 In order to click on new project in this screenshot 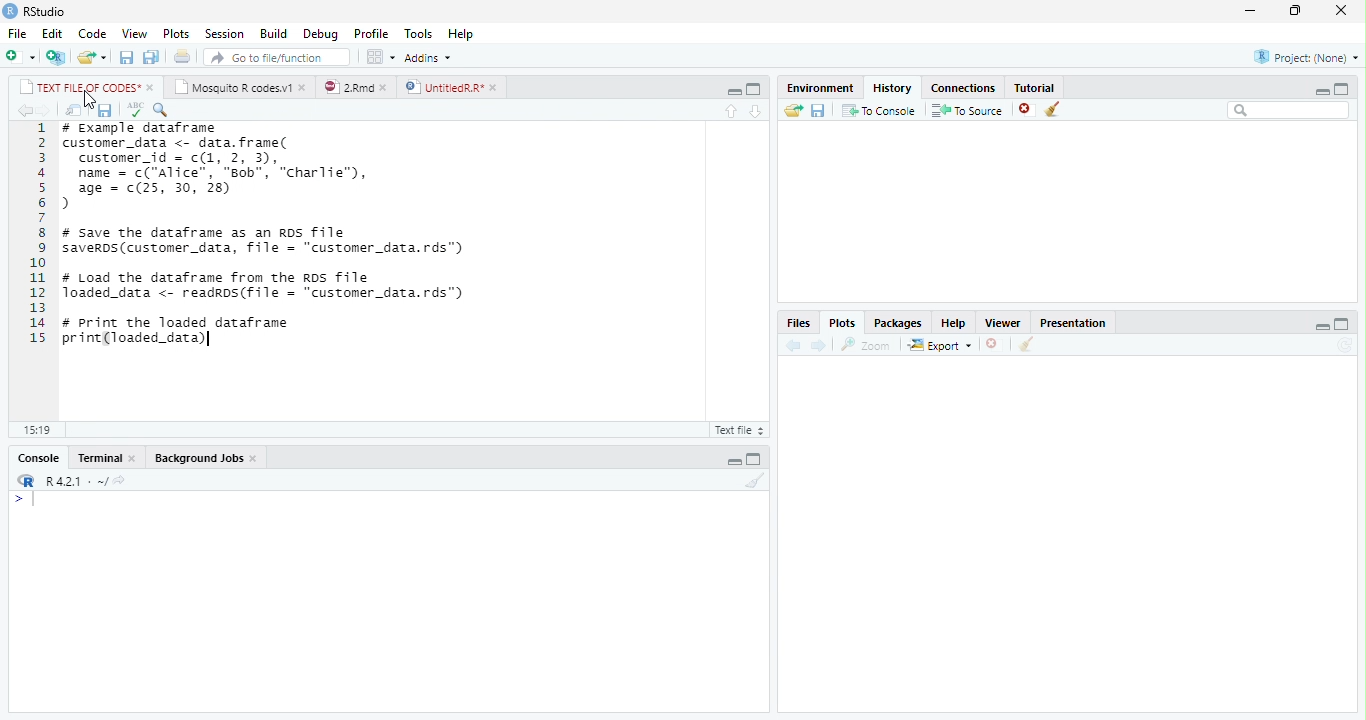, I will do `click(57, 57)`.